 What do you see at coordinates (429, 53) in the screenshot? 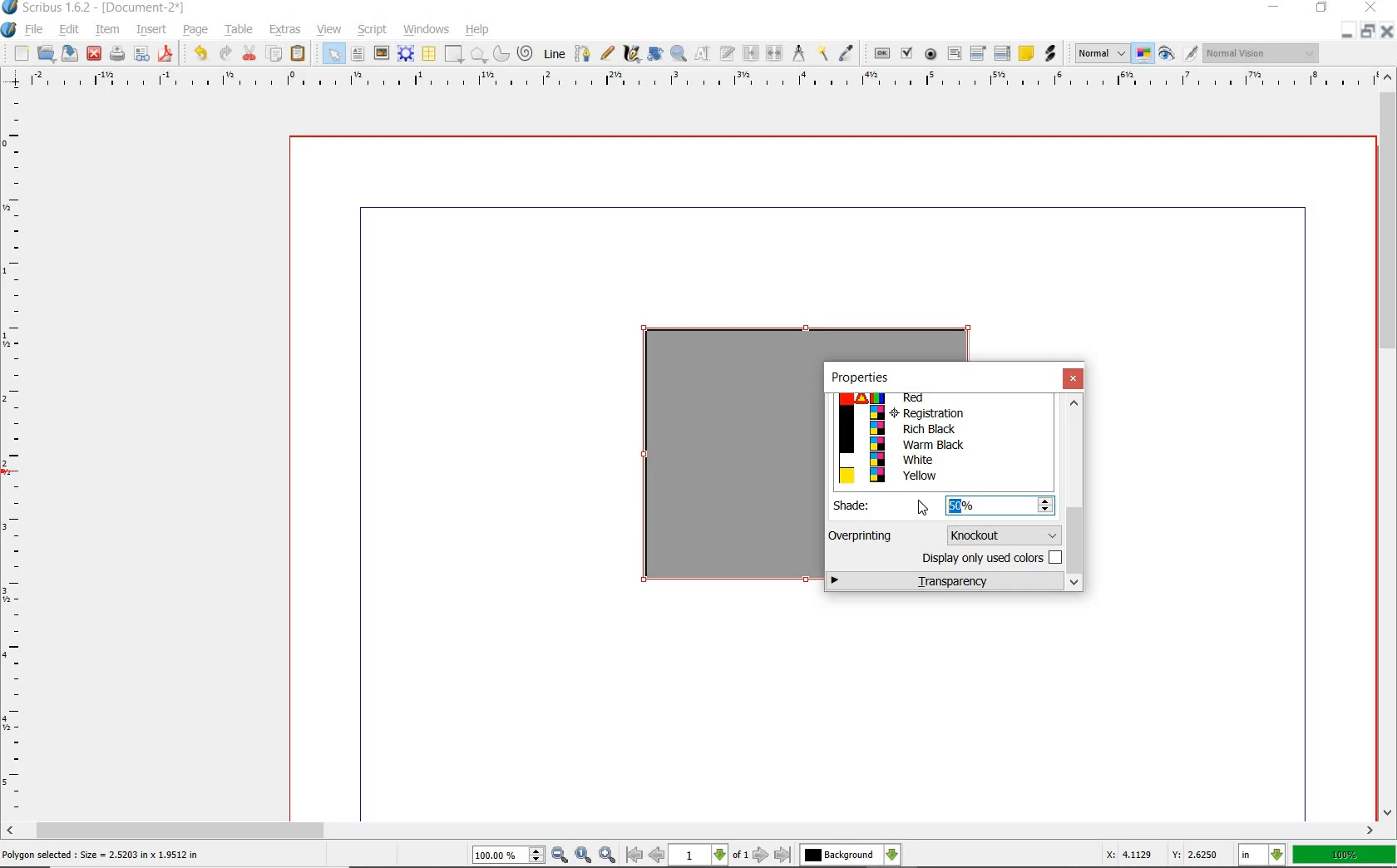
I see `table` at bounding box center [429, 53].